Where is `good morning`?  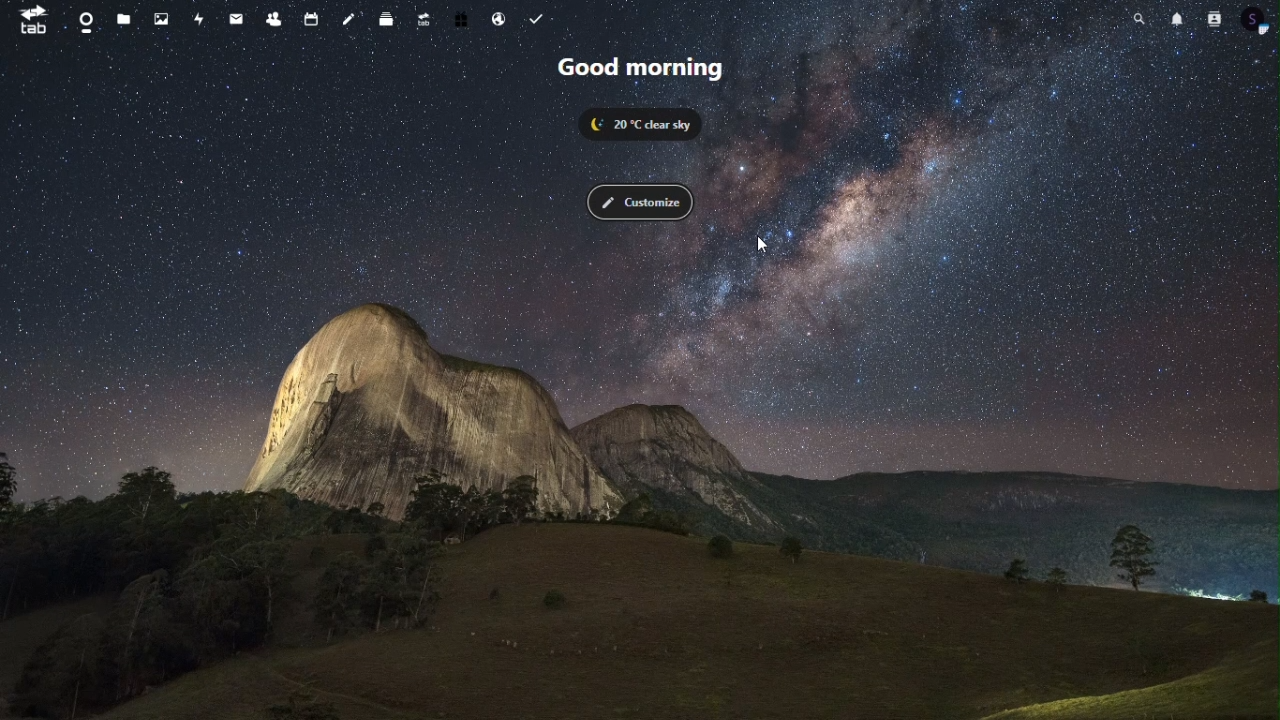 good morning is located at coordinates (644, 68).